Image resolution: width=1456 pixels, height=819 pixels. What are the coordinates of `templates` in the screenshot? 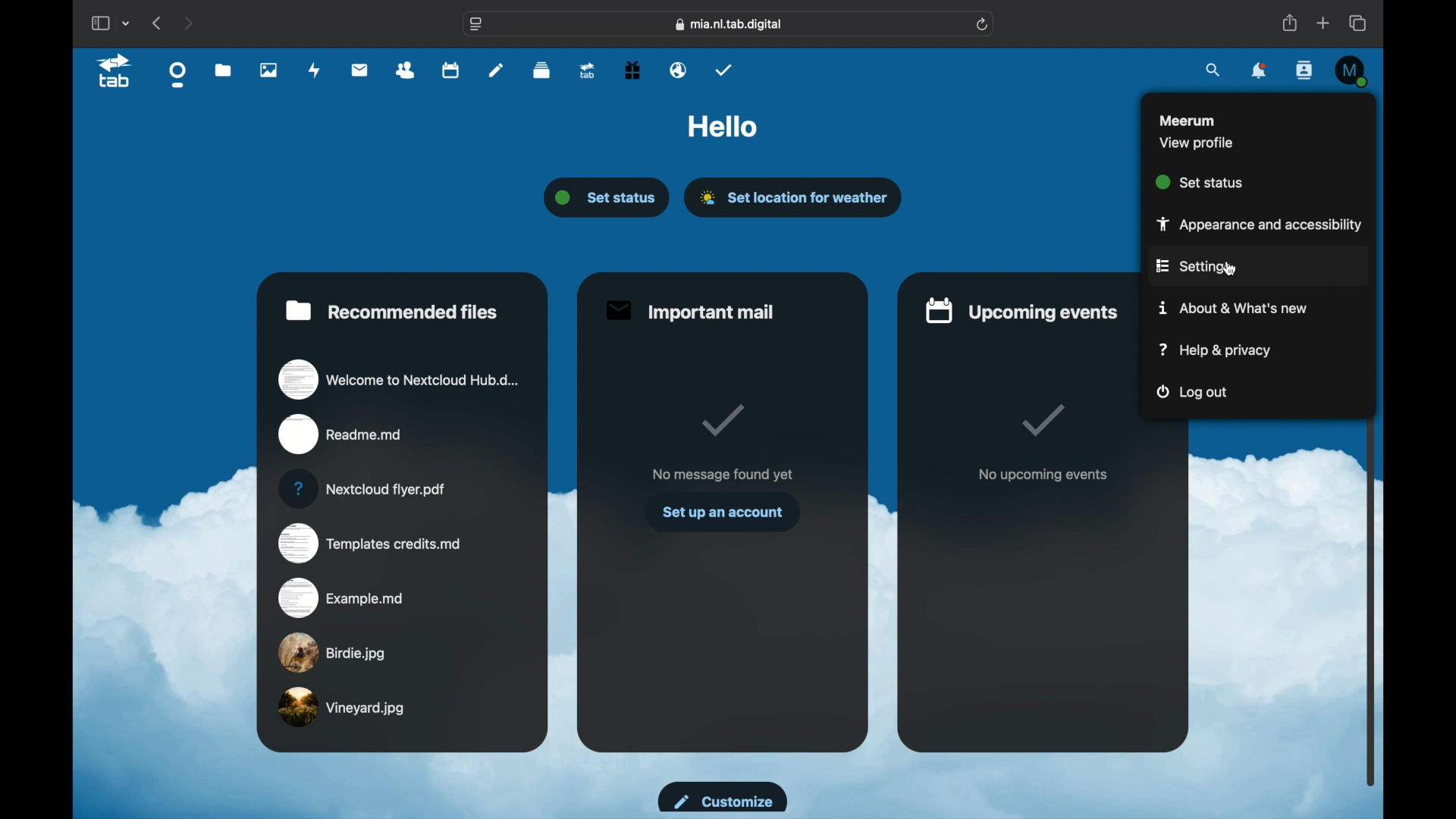 It's located at (369, 544).